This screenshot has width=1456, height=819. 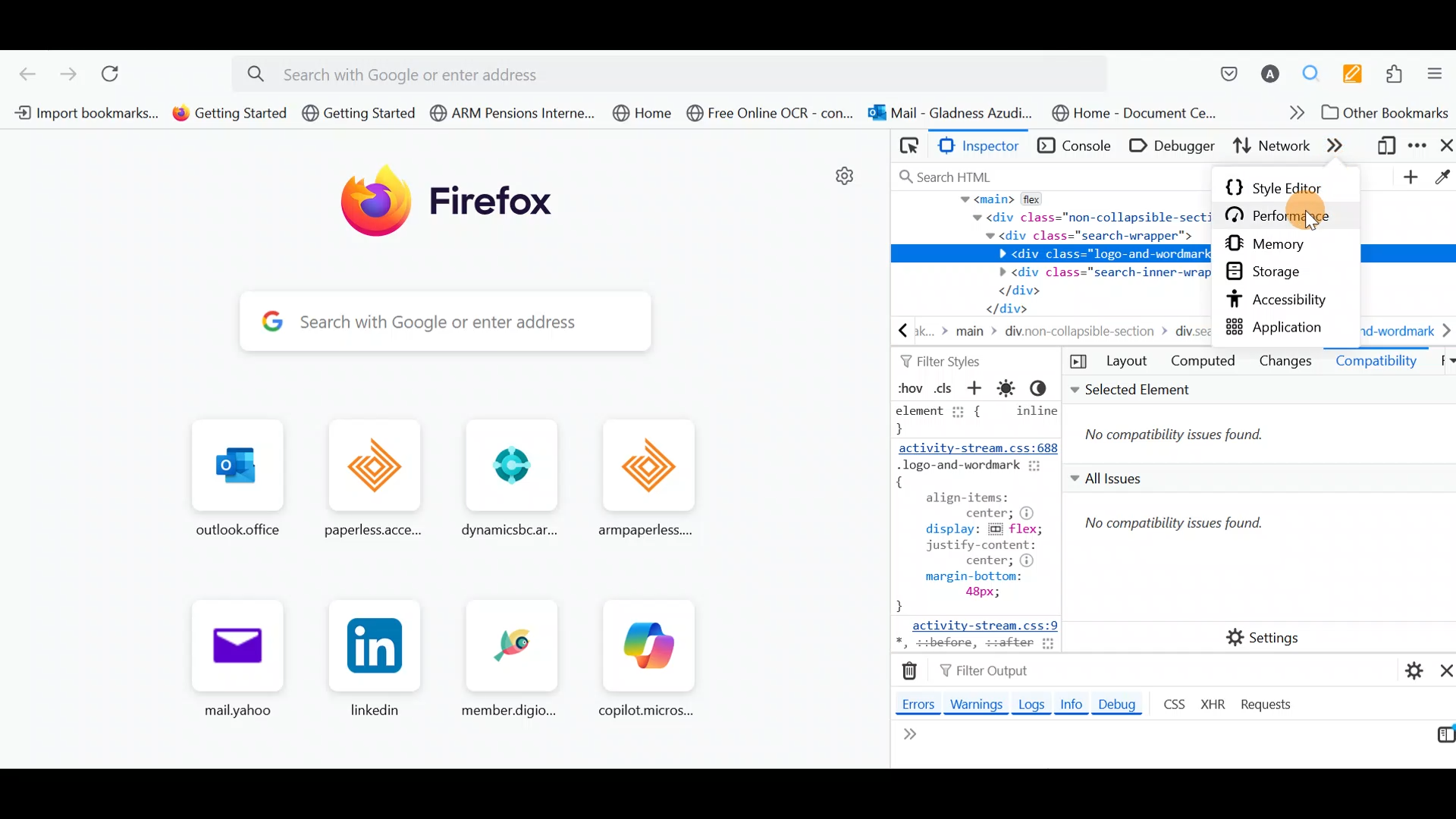 I want to click on Bookmark 3, so click(x=359, y=113).